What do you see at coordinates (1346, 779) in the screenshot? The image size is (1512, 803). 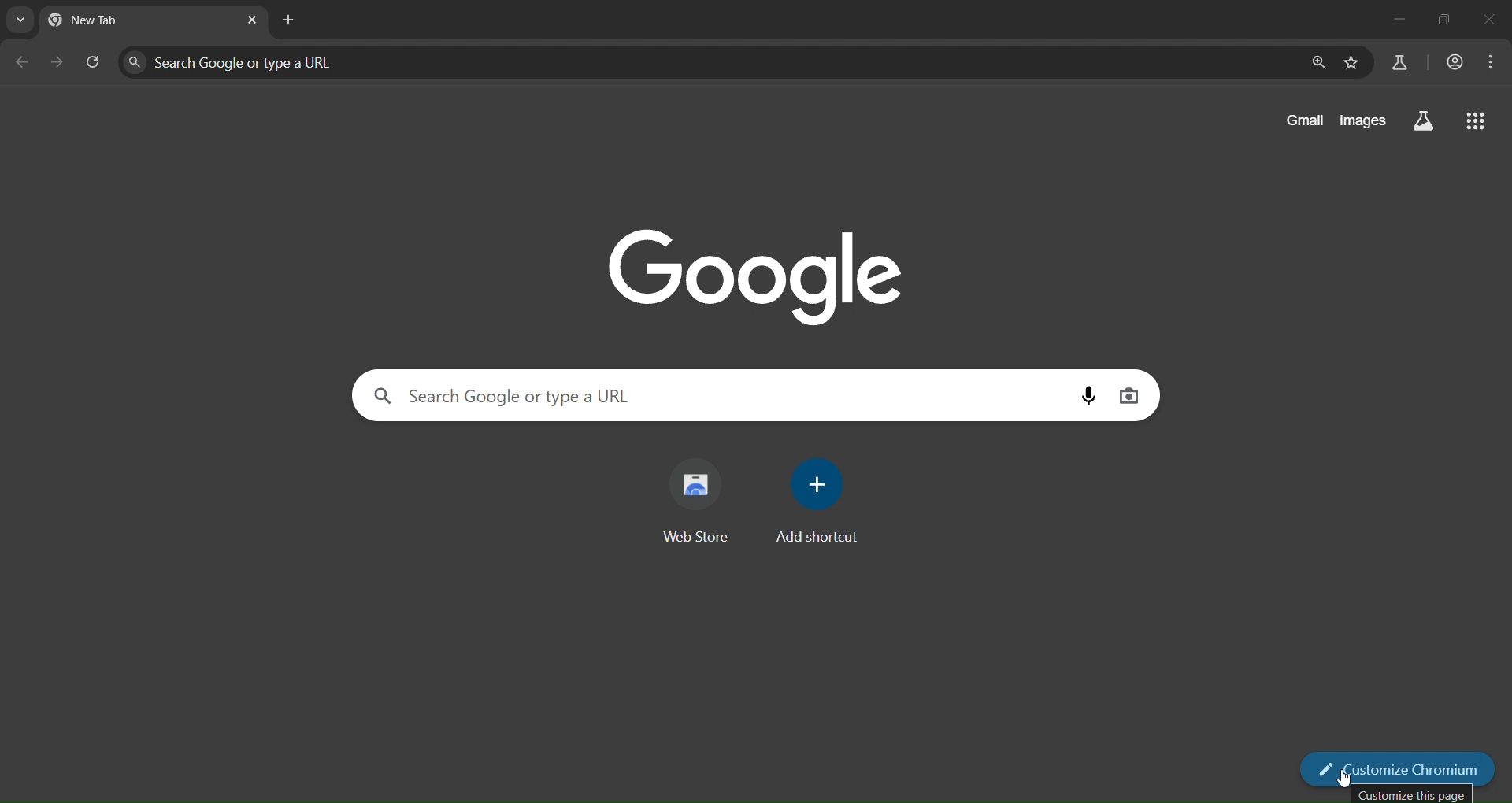 I see `Cursor` at bounding box center [1346, 779].